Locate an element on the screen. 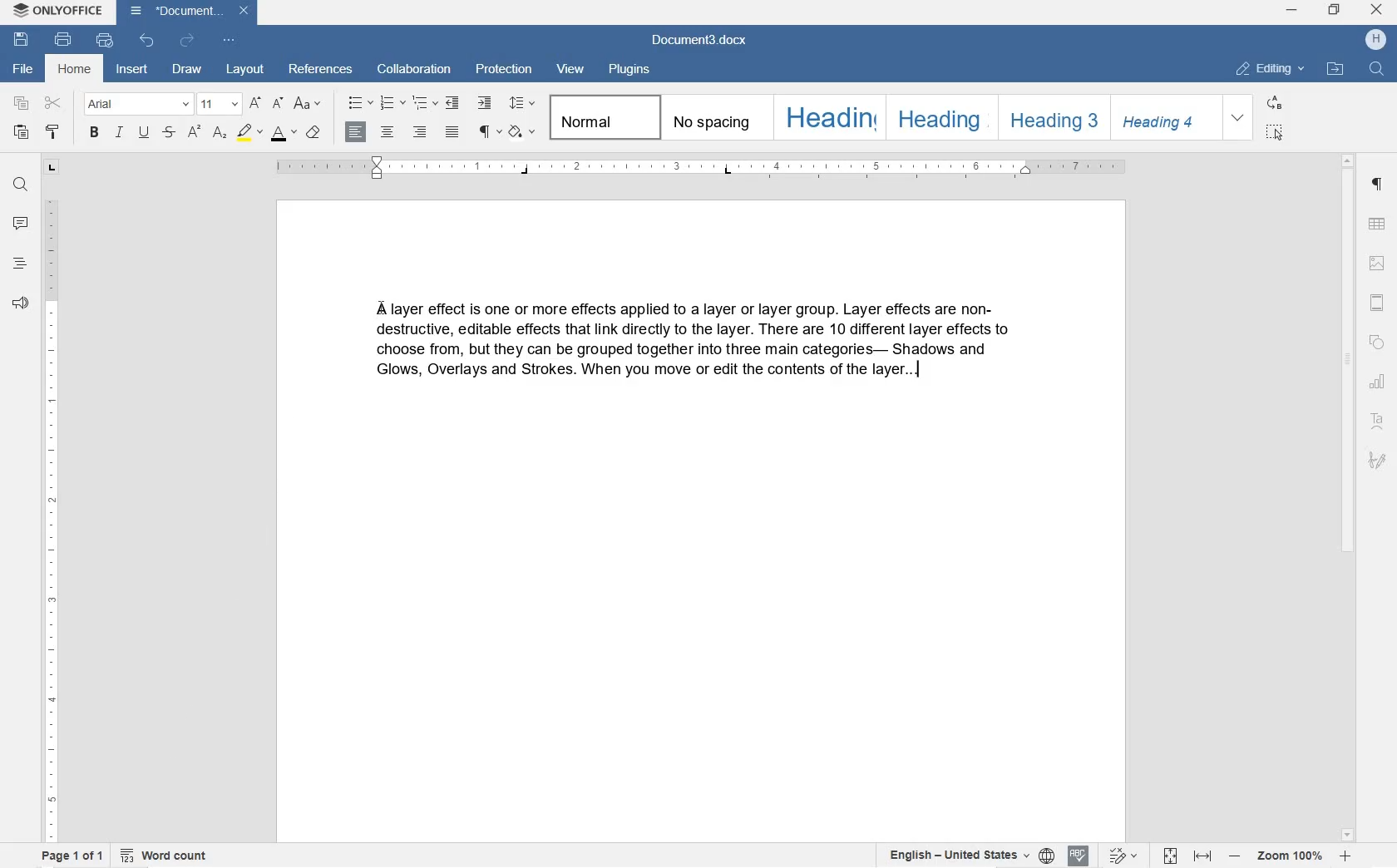 Image resolution: width=1397 pixels, height=868 pixels. PARAGRAPH LINE SPACING is located at coordinates (523, 104).